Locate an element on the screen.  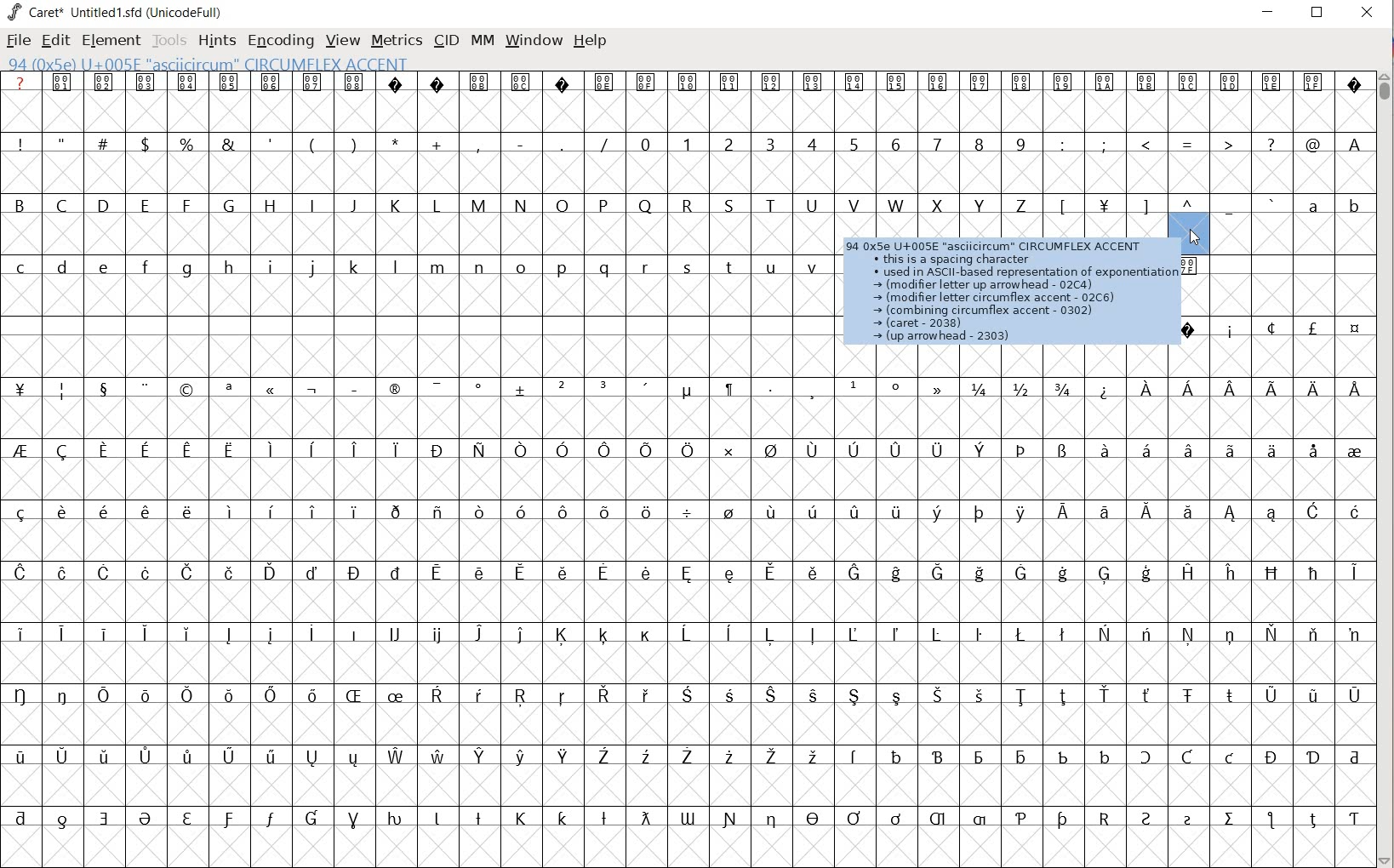
ELEMENT is located at coordinates (109, 40).